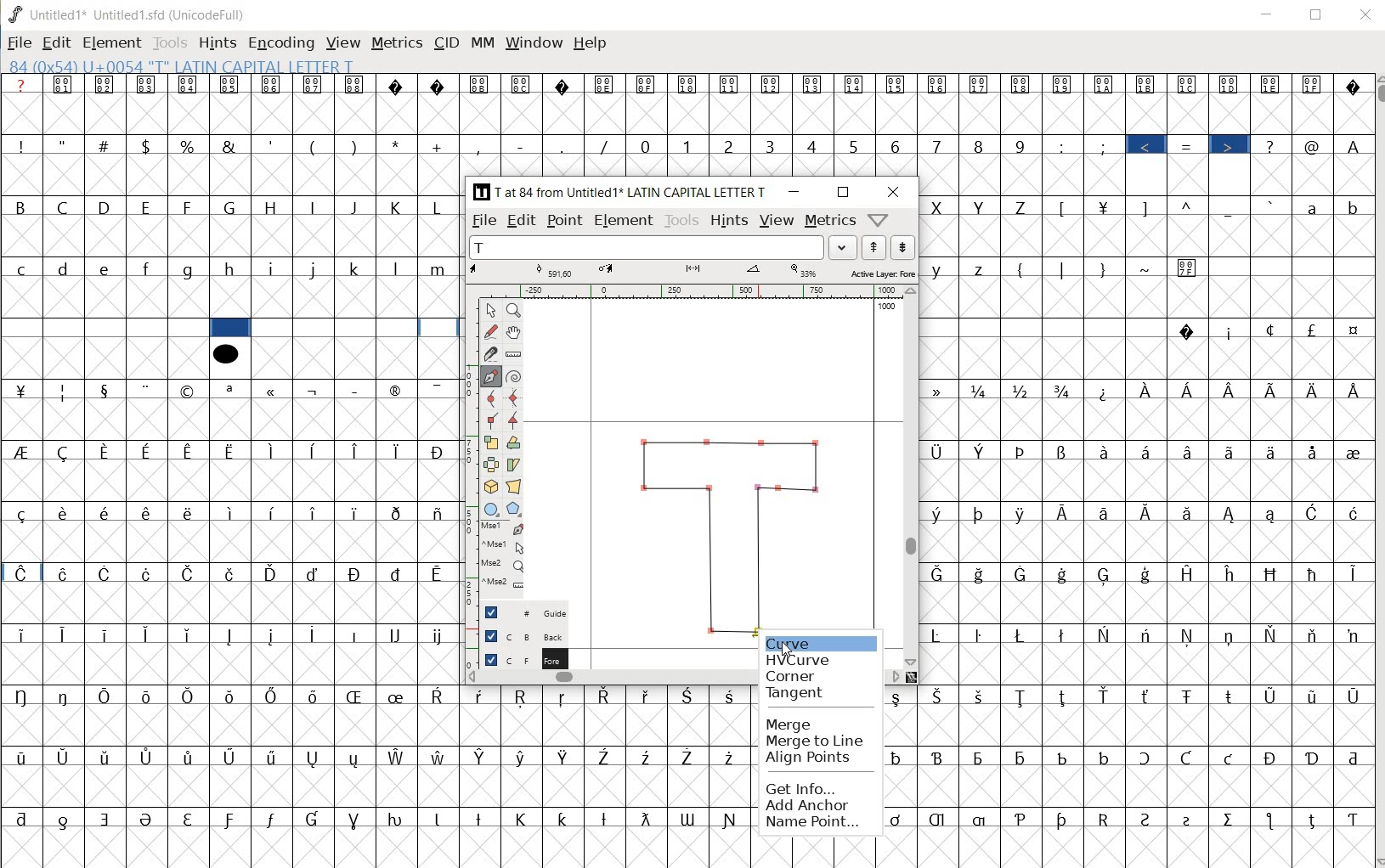 Image resolution: width=1385 pixels, height=868 pixels. What do you see at coordinates (171, 42) in the screenshot?
I see `tools` at bounding box center [171, 42].